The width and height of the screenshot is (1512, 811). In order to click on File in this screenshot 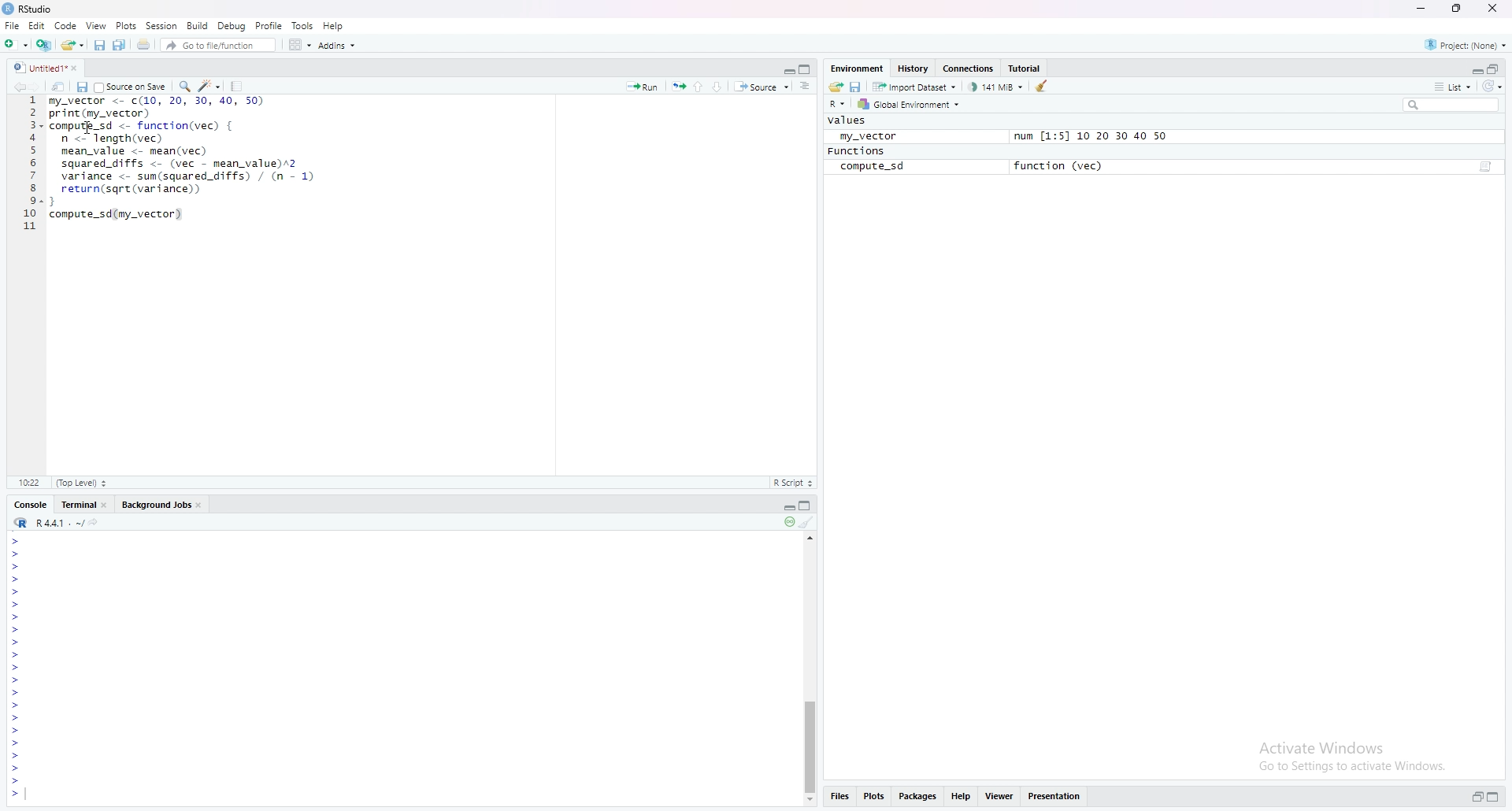, I will do `click(12, 25)`.